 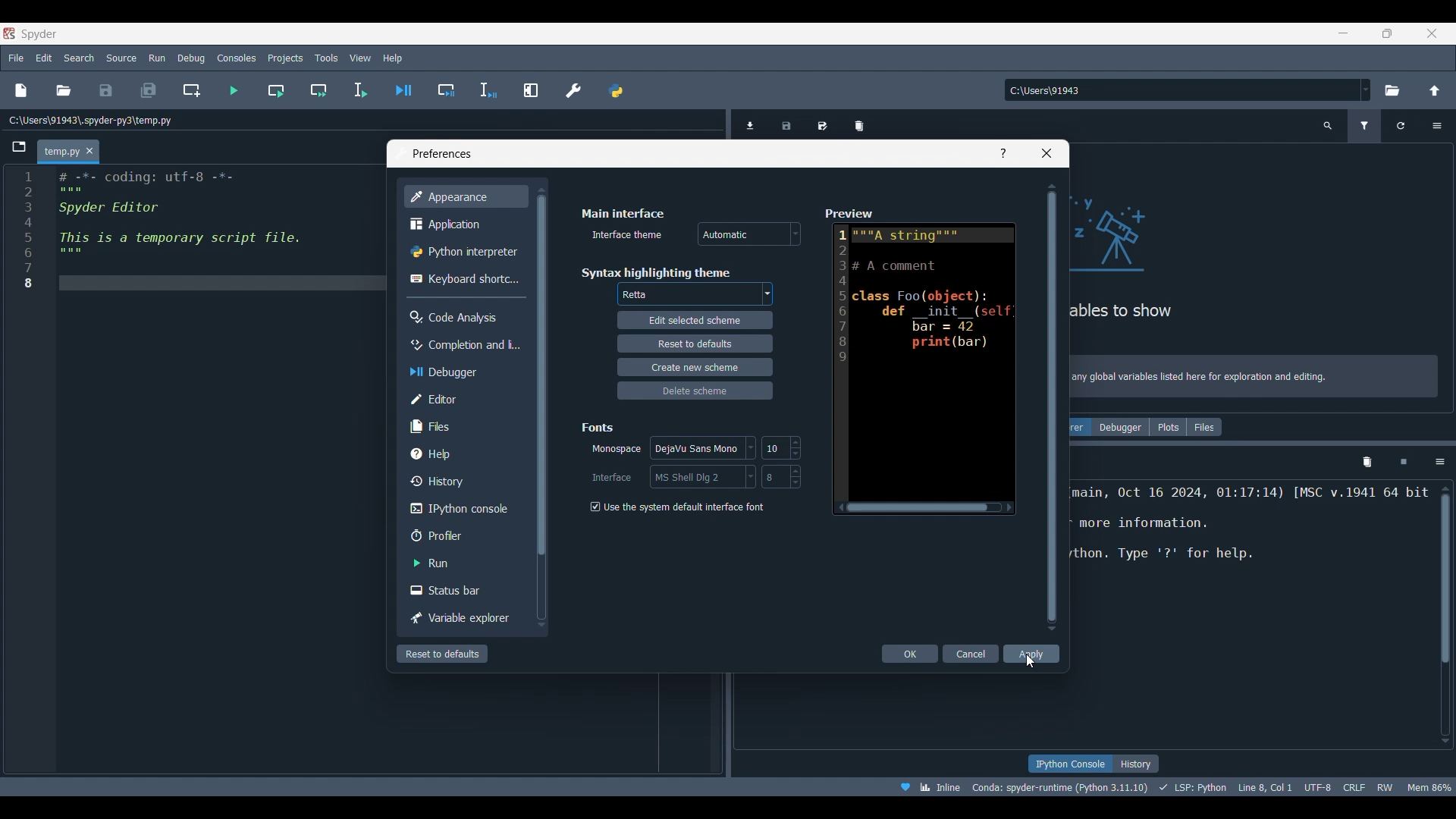 What do you see at coordinates (705, 449) in the screenshot?
I see `monospace font options` at bounding box center [705, 449].